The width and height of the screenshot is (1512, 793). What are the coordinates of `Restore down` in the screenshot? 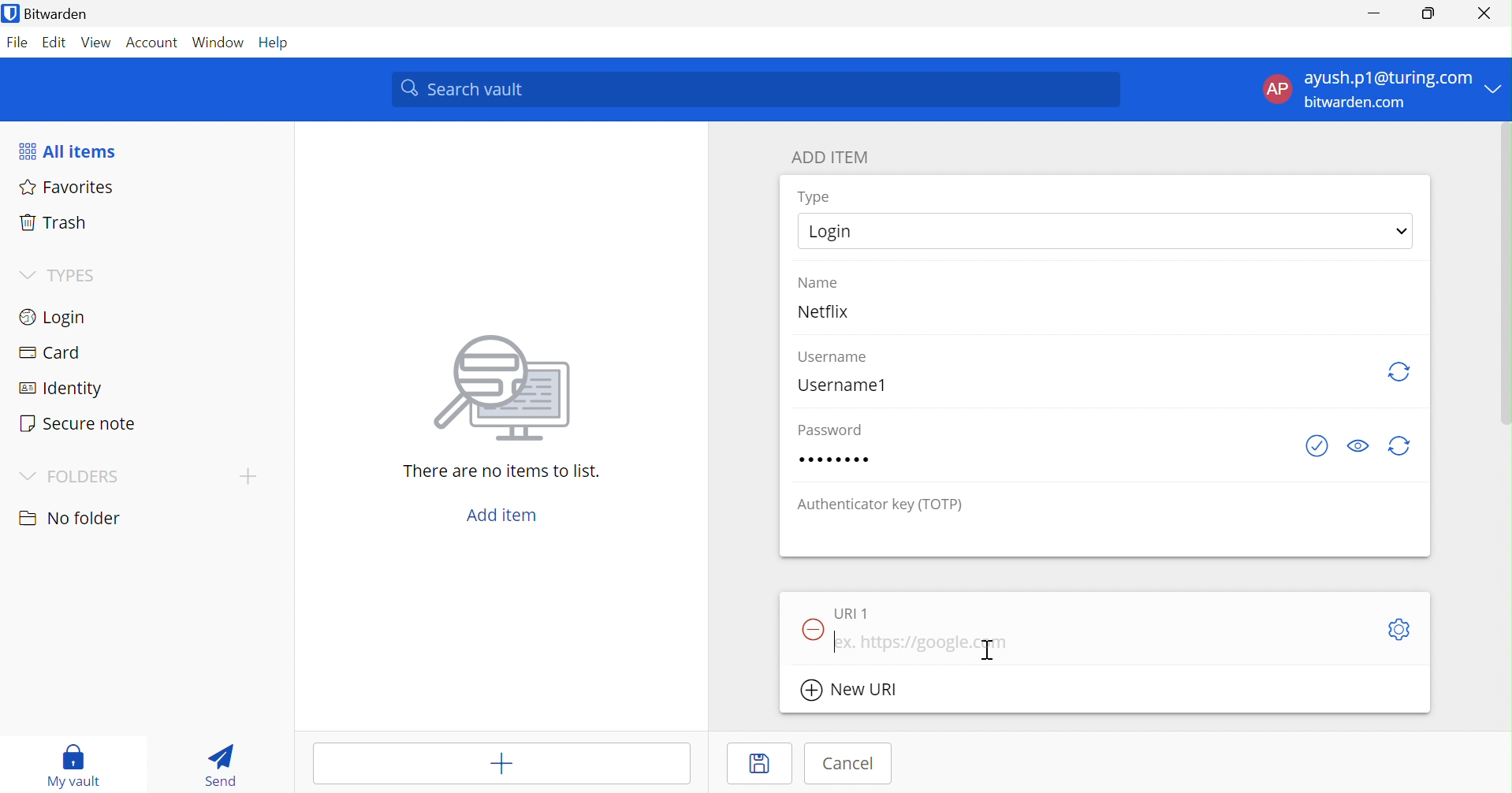 It's located at (1431, 14).